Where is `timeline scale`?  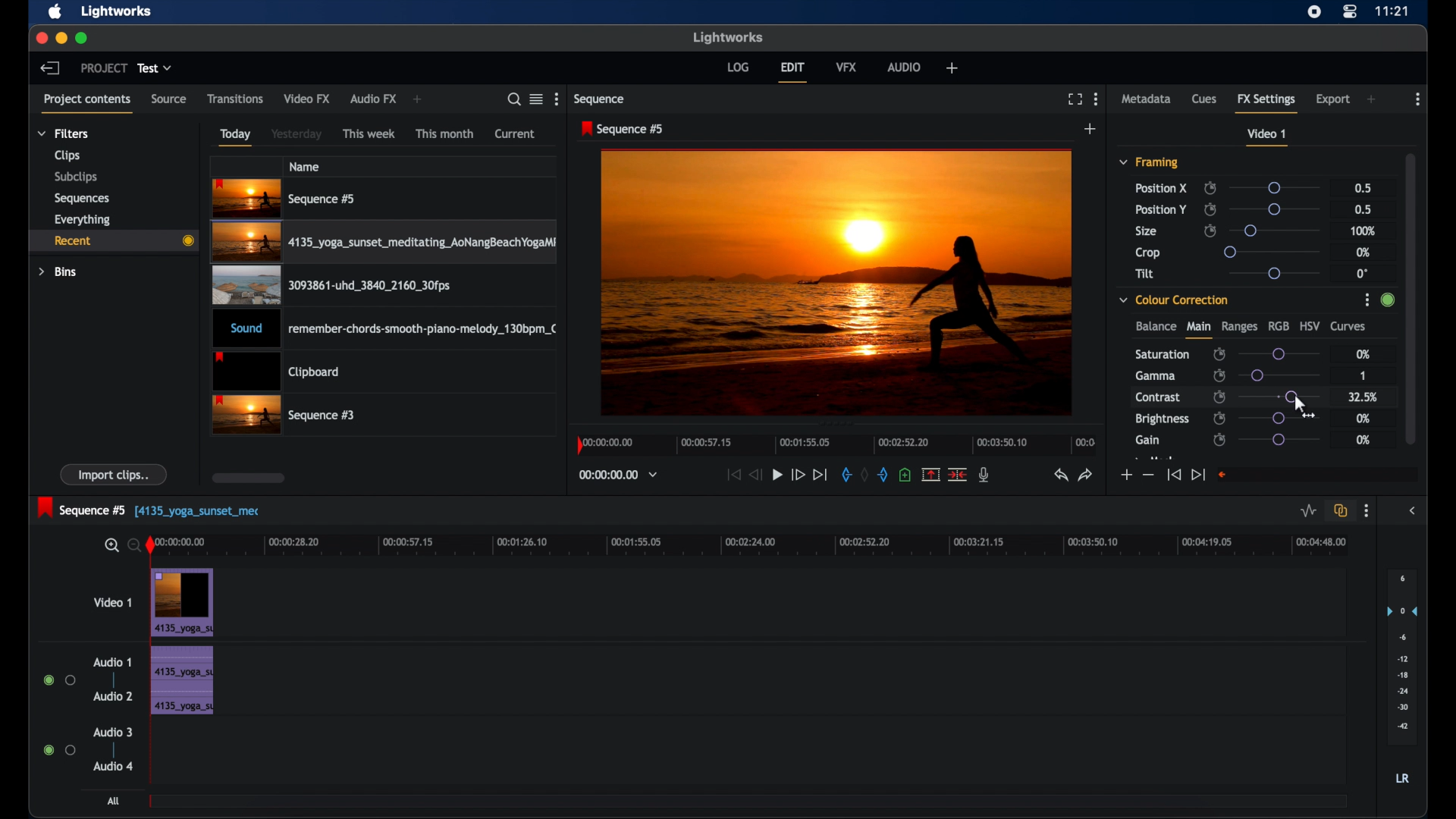 timeline scale is located at coordinates (760, 544).